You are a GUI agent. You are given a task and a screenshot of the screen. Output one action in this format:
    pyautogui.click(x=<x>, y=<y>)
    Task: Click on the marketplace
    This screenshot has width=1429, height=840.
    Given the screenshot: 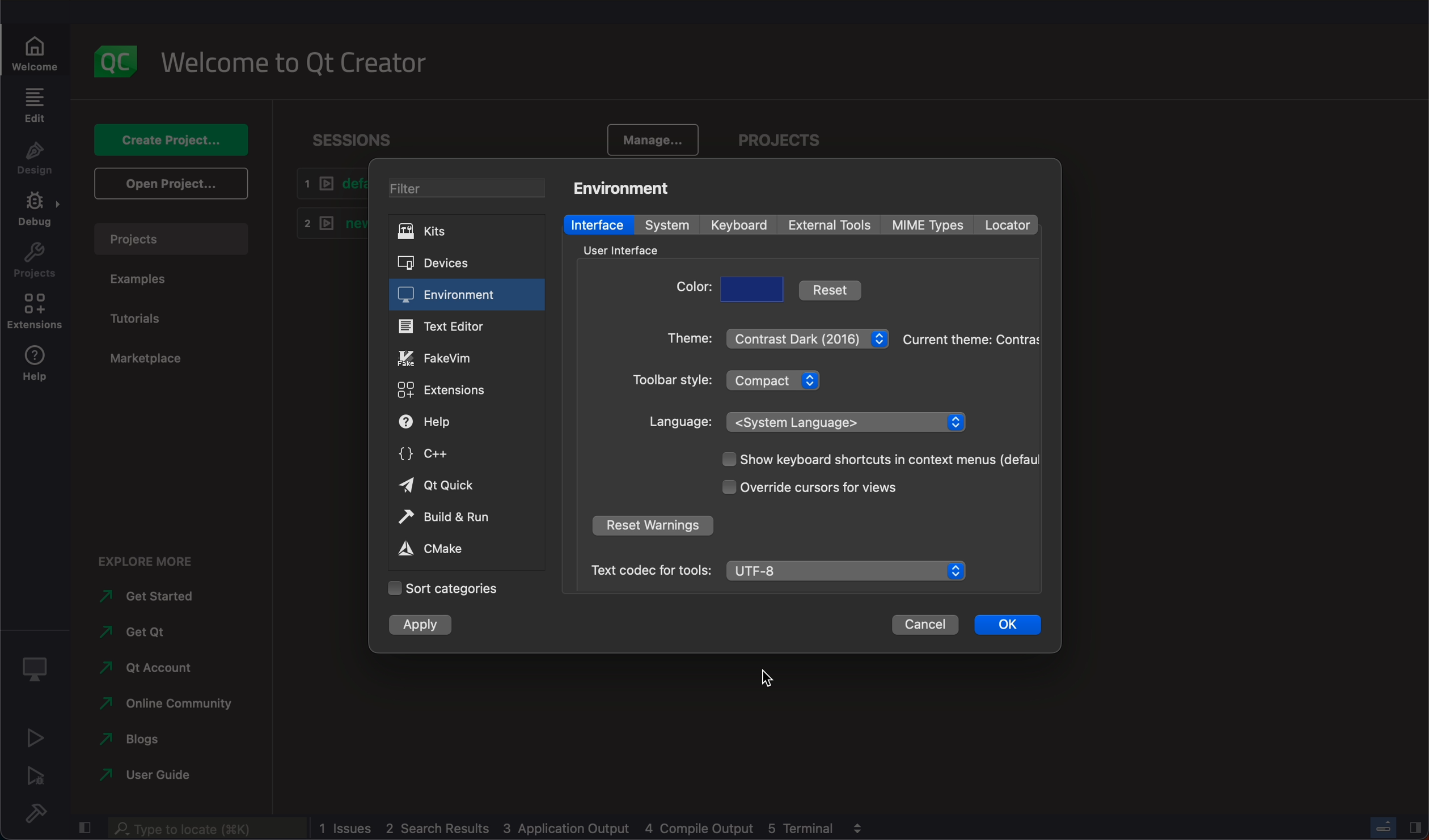 What is the action you would take?
    pyautogui.click(x=142, y=356)
    